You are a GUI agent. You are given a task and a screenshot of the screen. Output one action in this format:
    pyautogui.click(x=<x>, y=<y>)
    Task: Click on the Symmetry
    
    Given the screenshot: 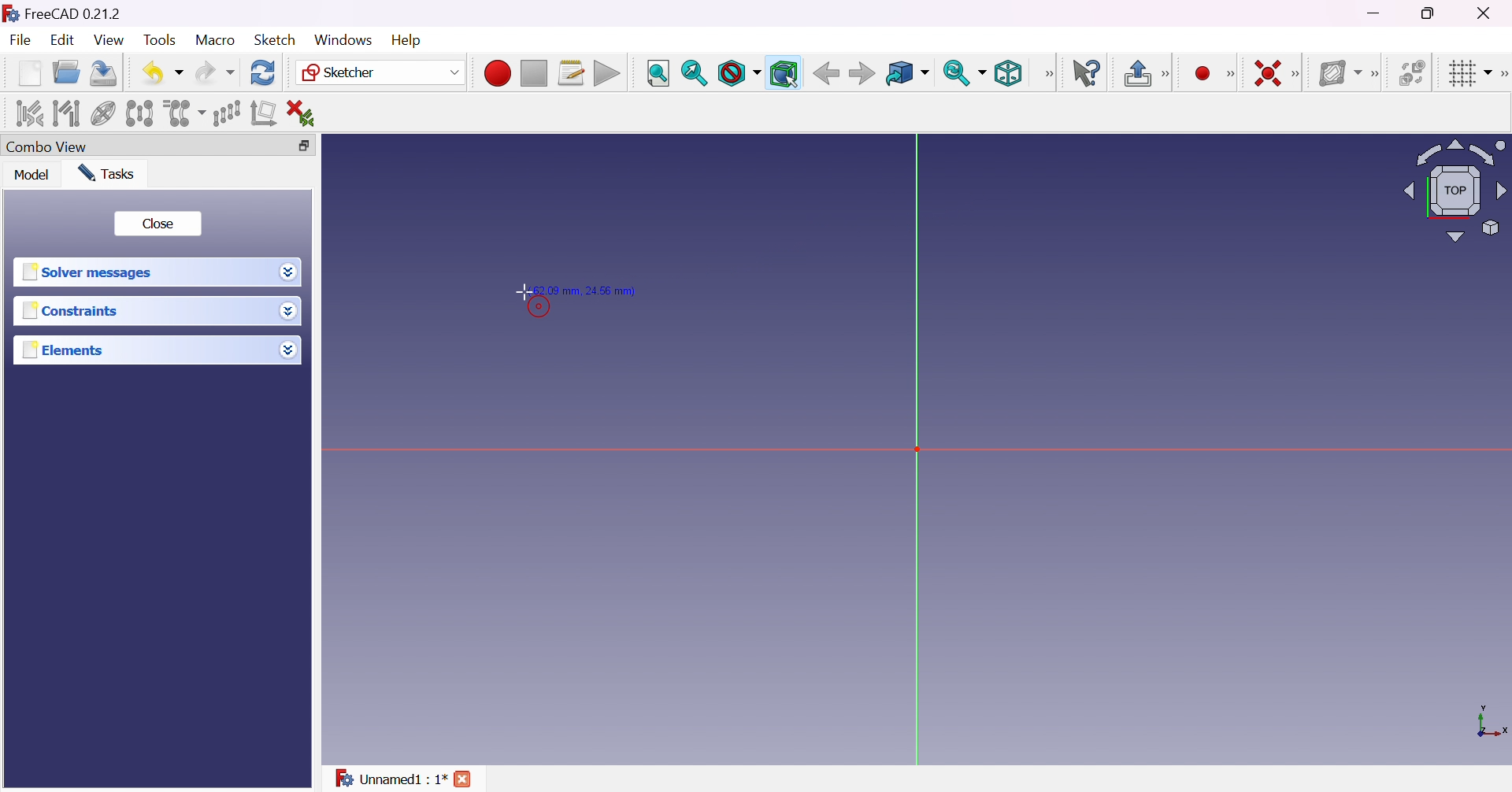 What is the action you would take?
    pyautogui.click(x=140, y=113)
    